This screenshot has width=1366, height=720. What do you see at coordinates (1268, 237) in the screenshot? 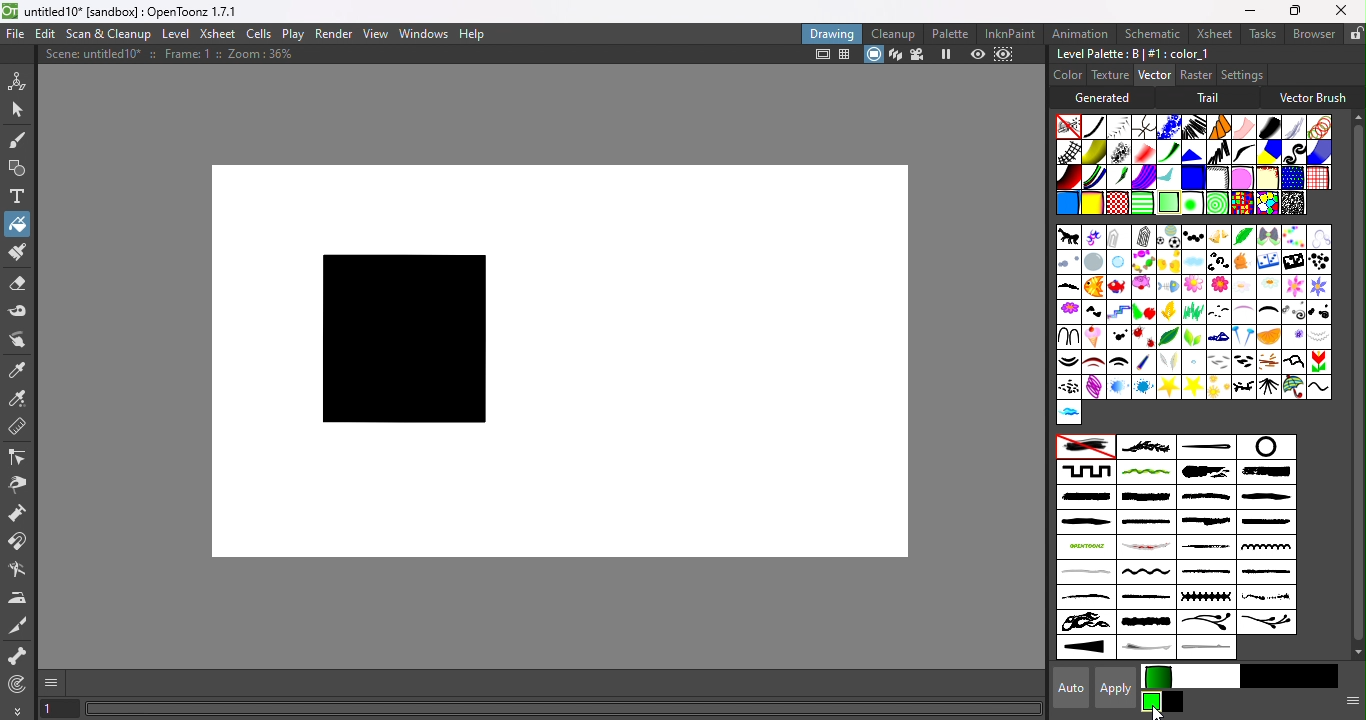
I see `Bow` at bounding box center [1268, 237].